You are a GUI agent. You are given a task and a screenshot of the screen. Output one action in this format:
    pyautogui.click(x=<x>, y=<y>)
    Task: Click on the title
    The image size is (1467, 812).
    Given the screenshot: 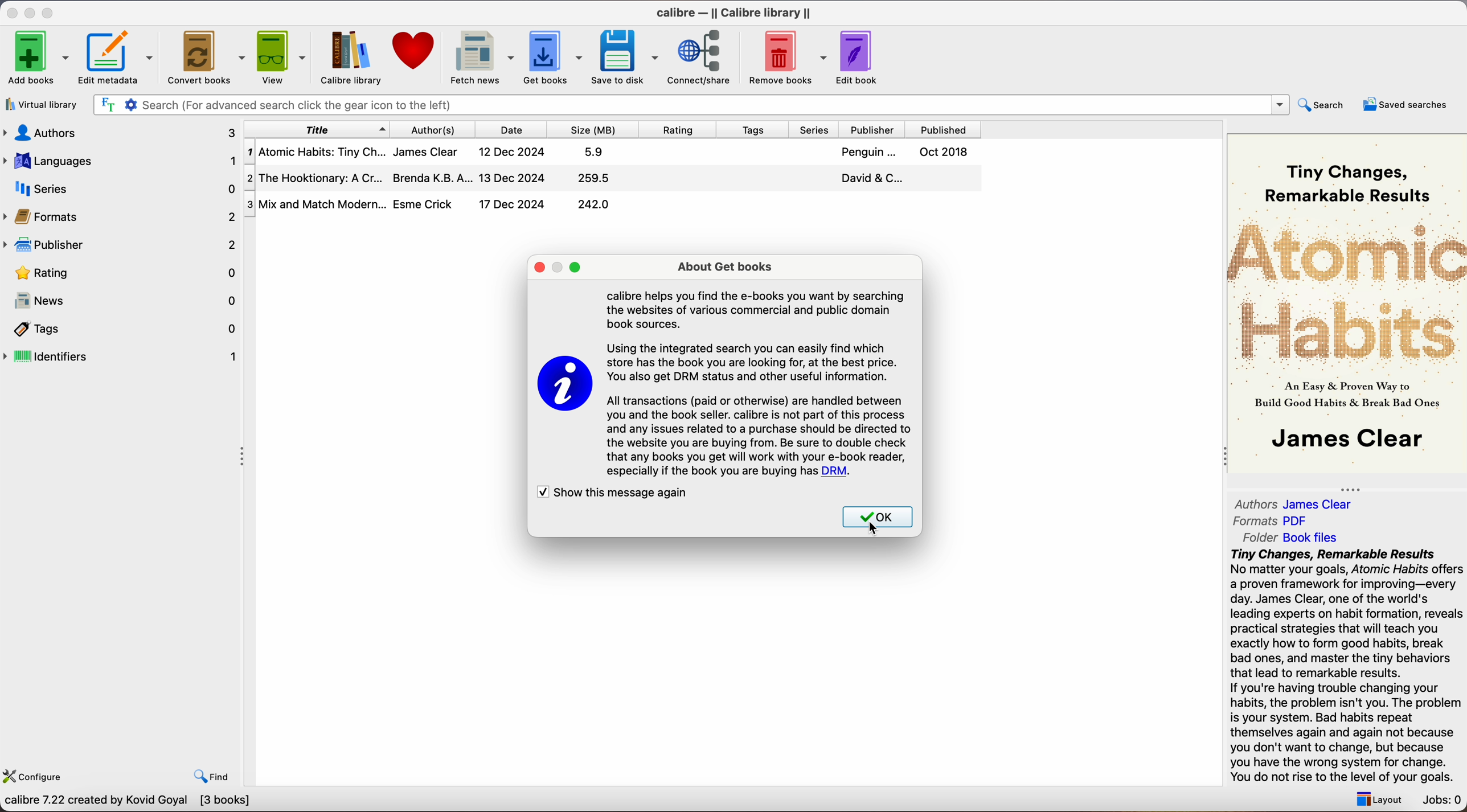 What is the action you would take?
    pyautogui.click(x=317, y=129)
    